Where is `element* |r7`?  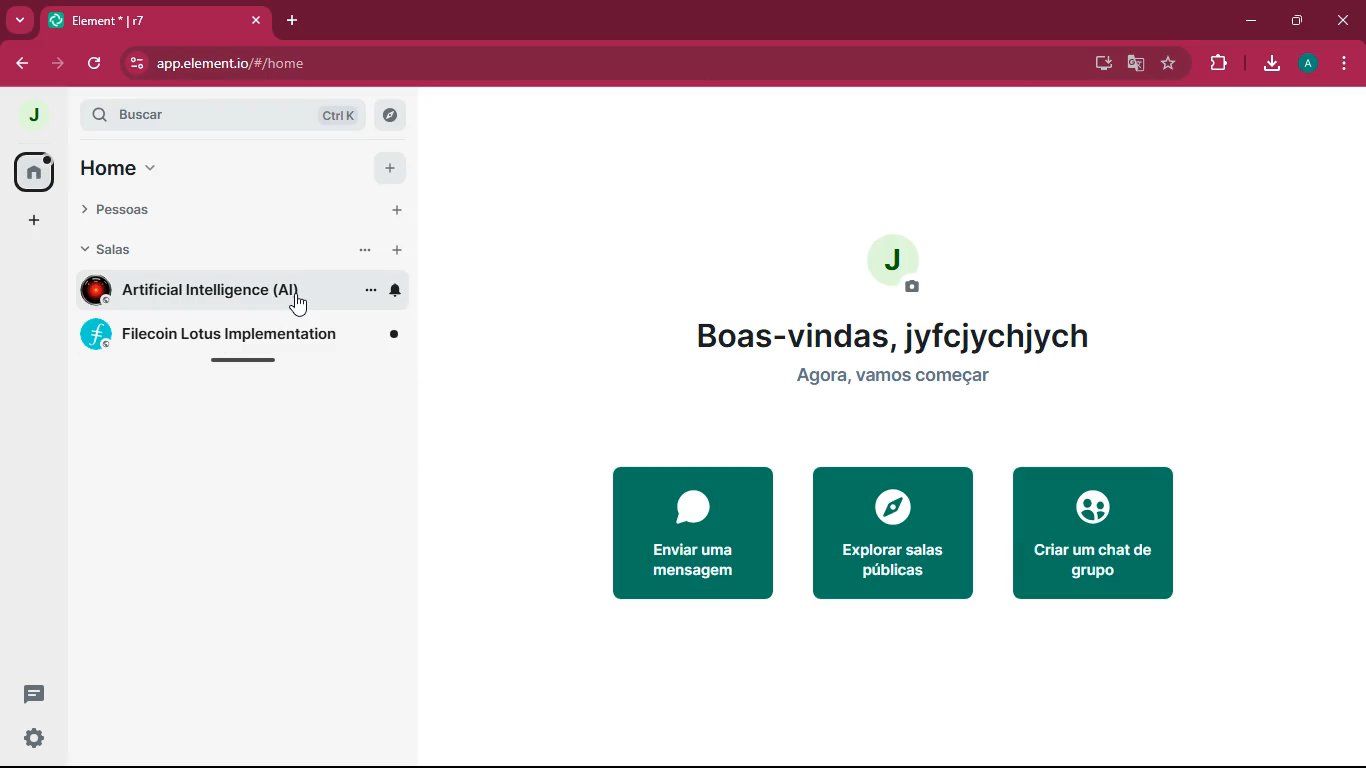
element* |r7 is located at coordinates (155, 20).